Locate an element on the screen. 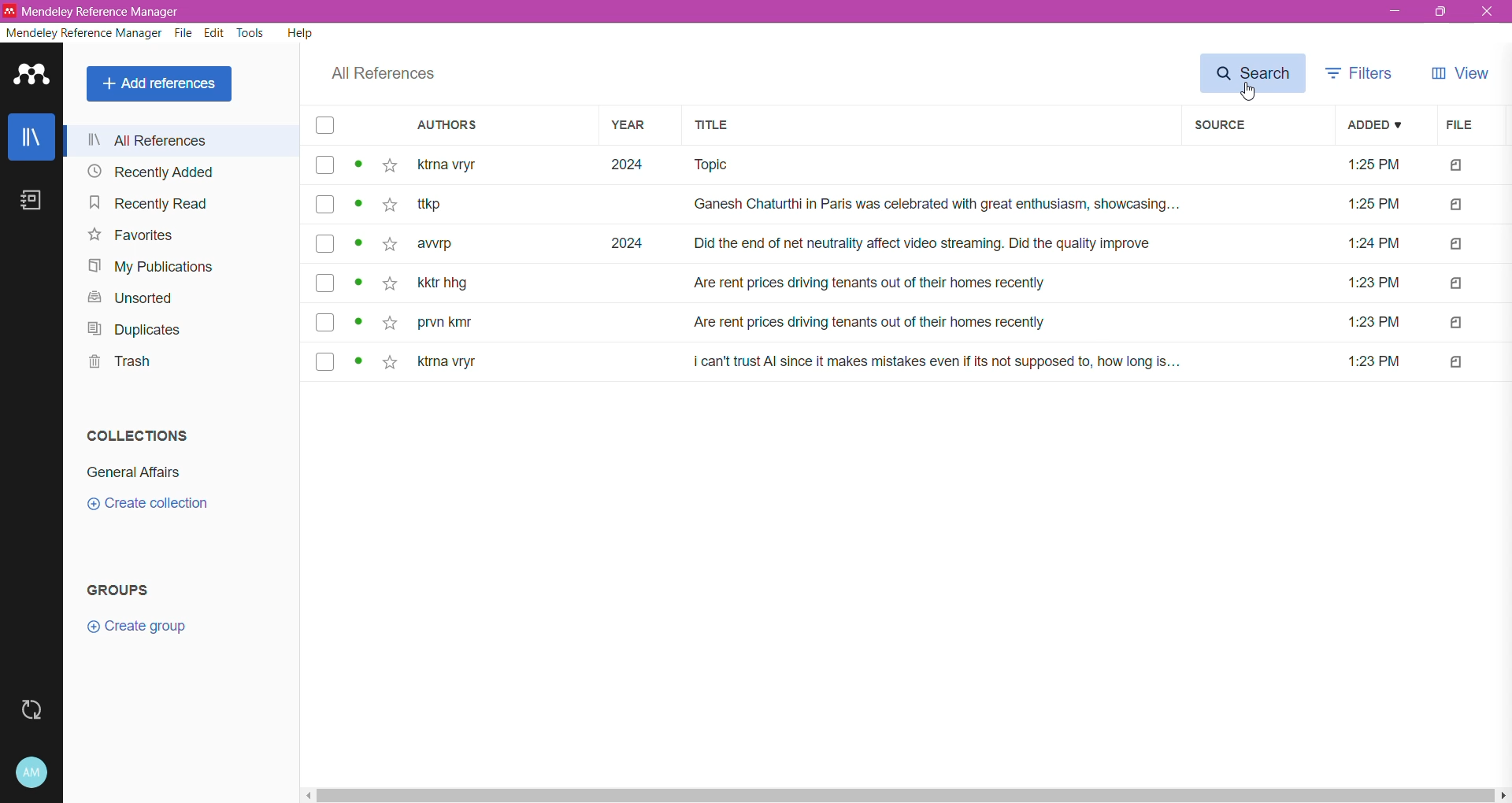 The image size is (1512, 803). Unsorted is located at coordinates (126, 298).